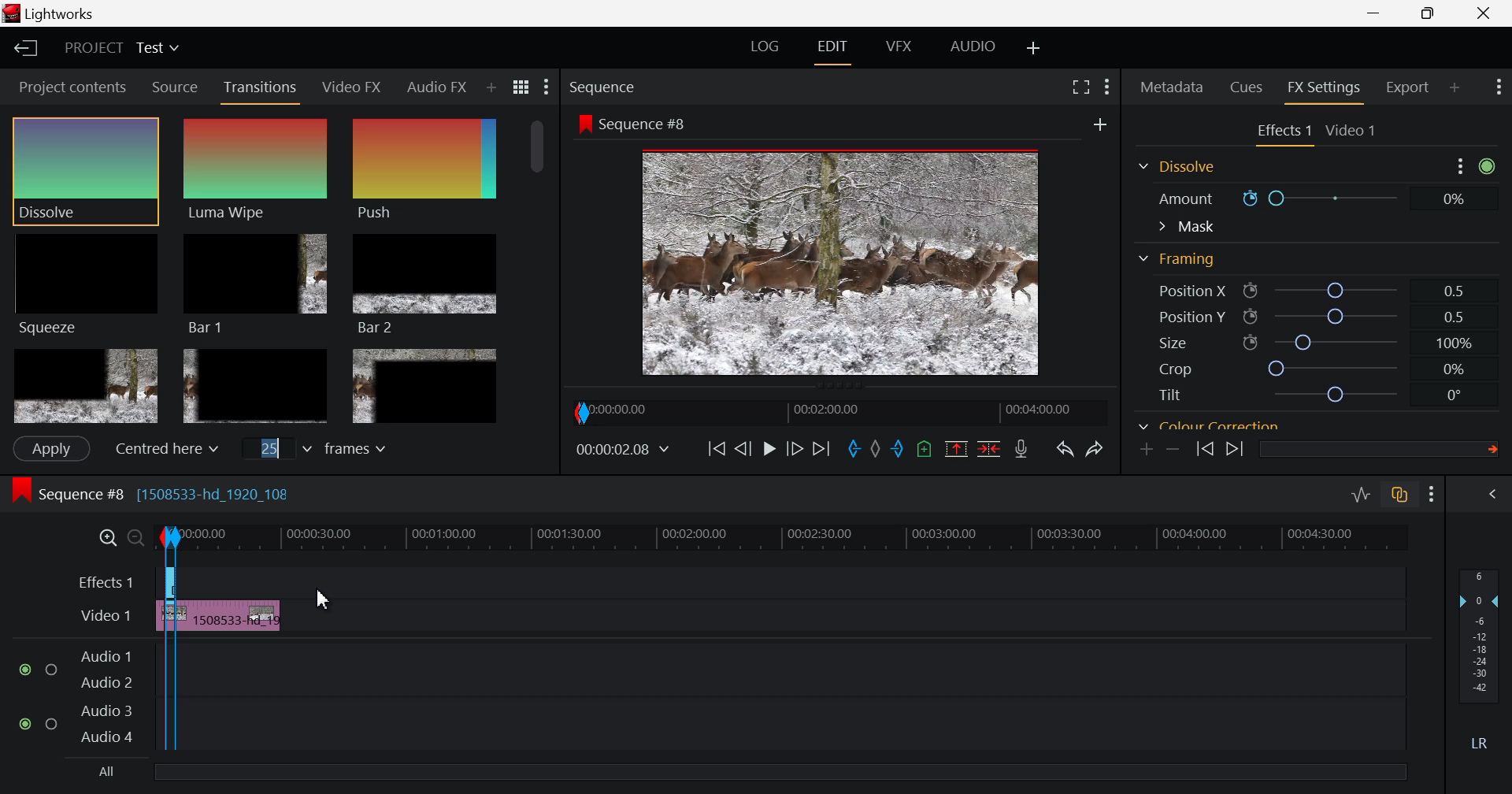 This screenshot has height=794, width=1512. Describe the element at coordinates (187, 710) in the screenshot. I see `Segment Out Mark` at that location.